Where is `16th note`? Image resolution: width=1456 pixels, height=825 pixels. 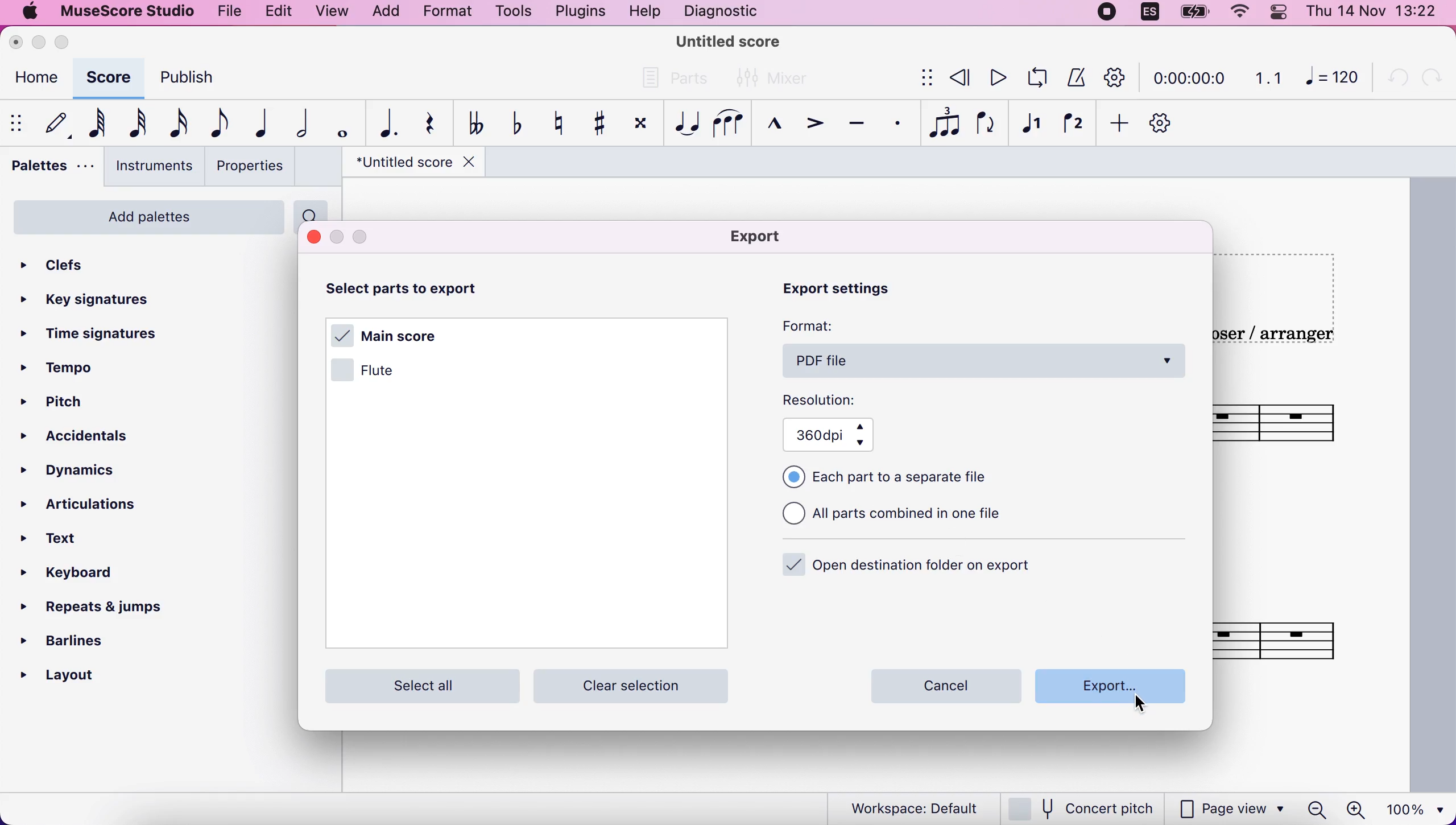 16th note is located at coordinates (175, 125).